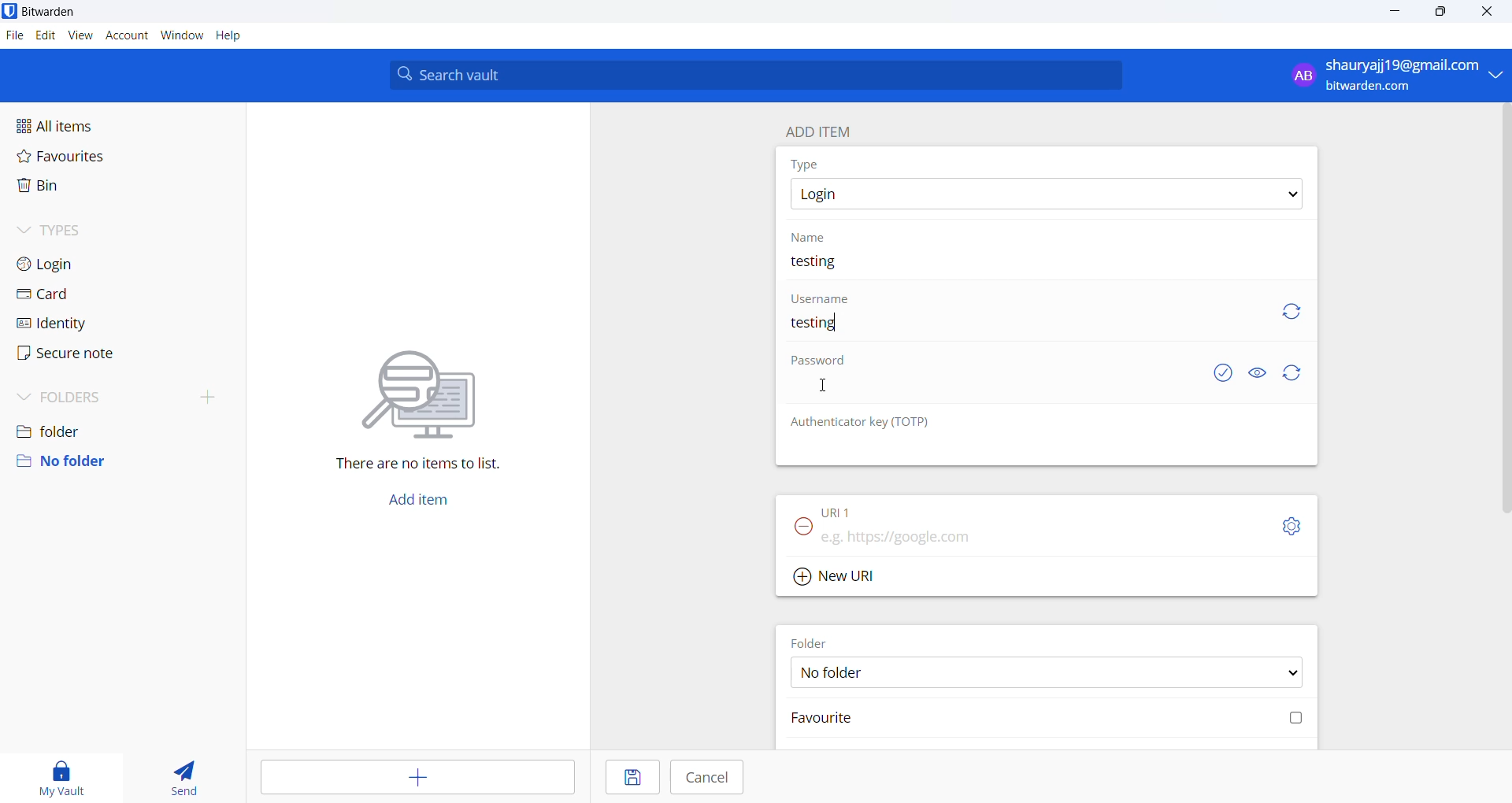  I want to click on URL input, so click(1014, 537).